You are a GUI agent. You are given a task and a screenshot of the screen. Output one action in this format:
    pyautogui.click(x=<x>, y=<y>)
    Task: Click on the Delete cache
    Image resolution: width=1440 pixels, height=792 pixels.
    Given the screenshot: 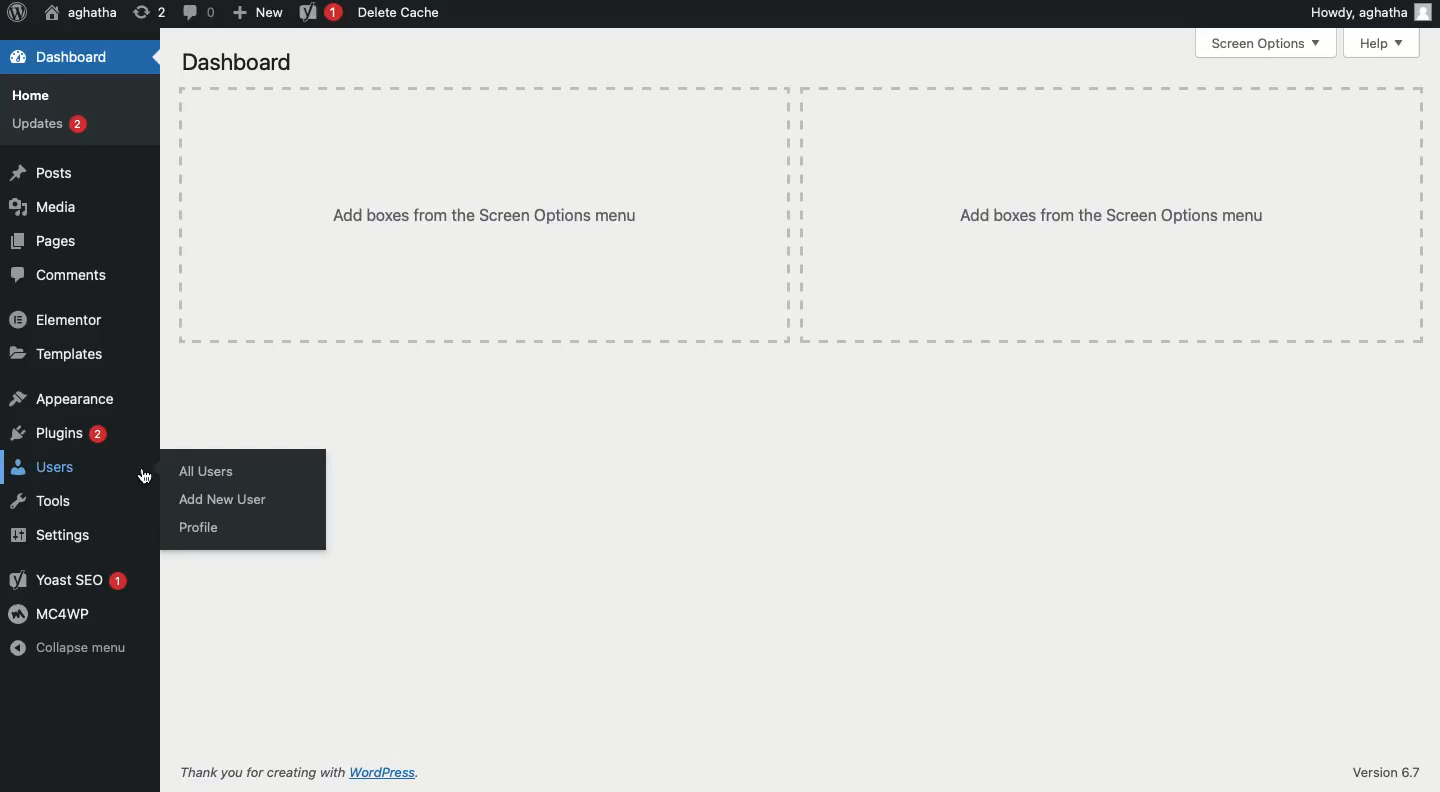 What is the action you would take?
    pyautogui.click(x=398, y=12)
    